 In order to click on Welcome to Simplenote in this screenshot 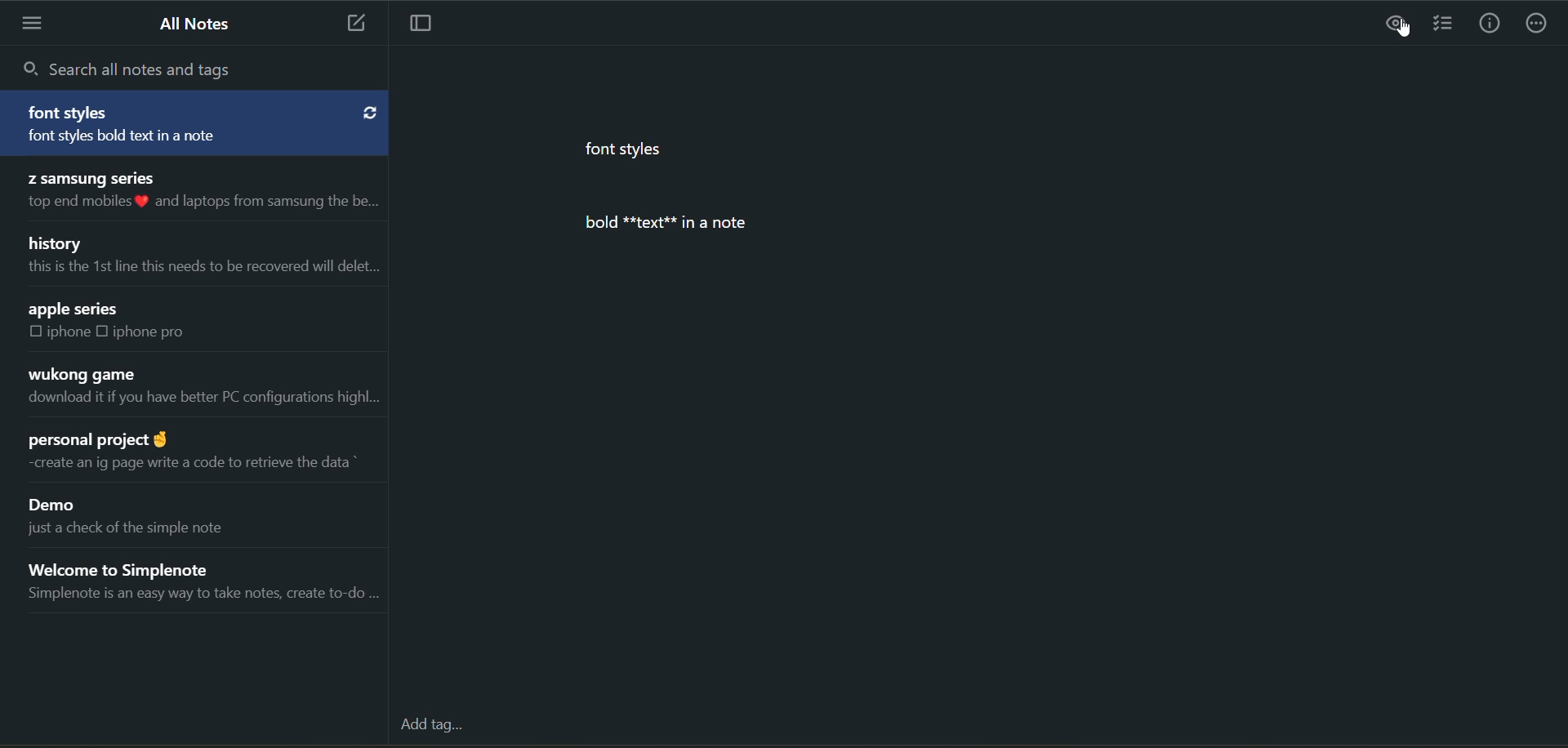, I will do `click(143, 566)`.